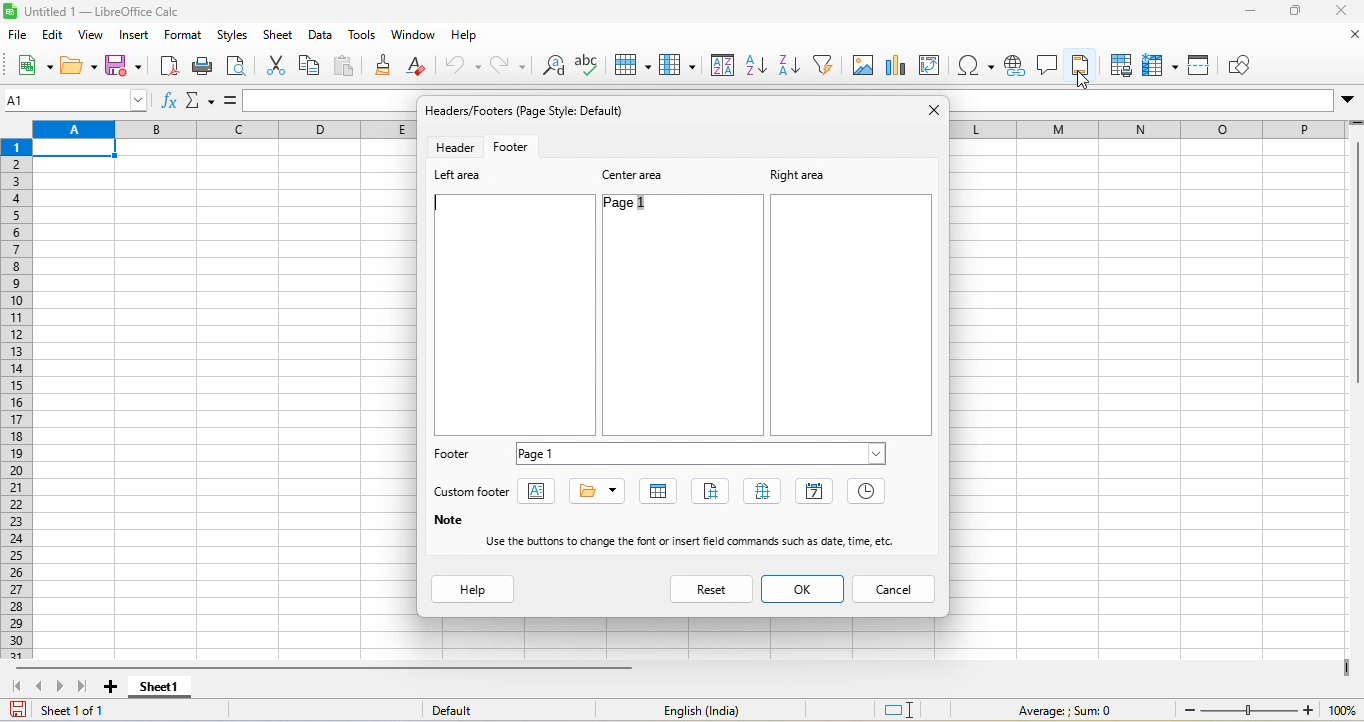 The width and height of the screenshot is (1364, 722). I want to click on name box, so click(77, 100).